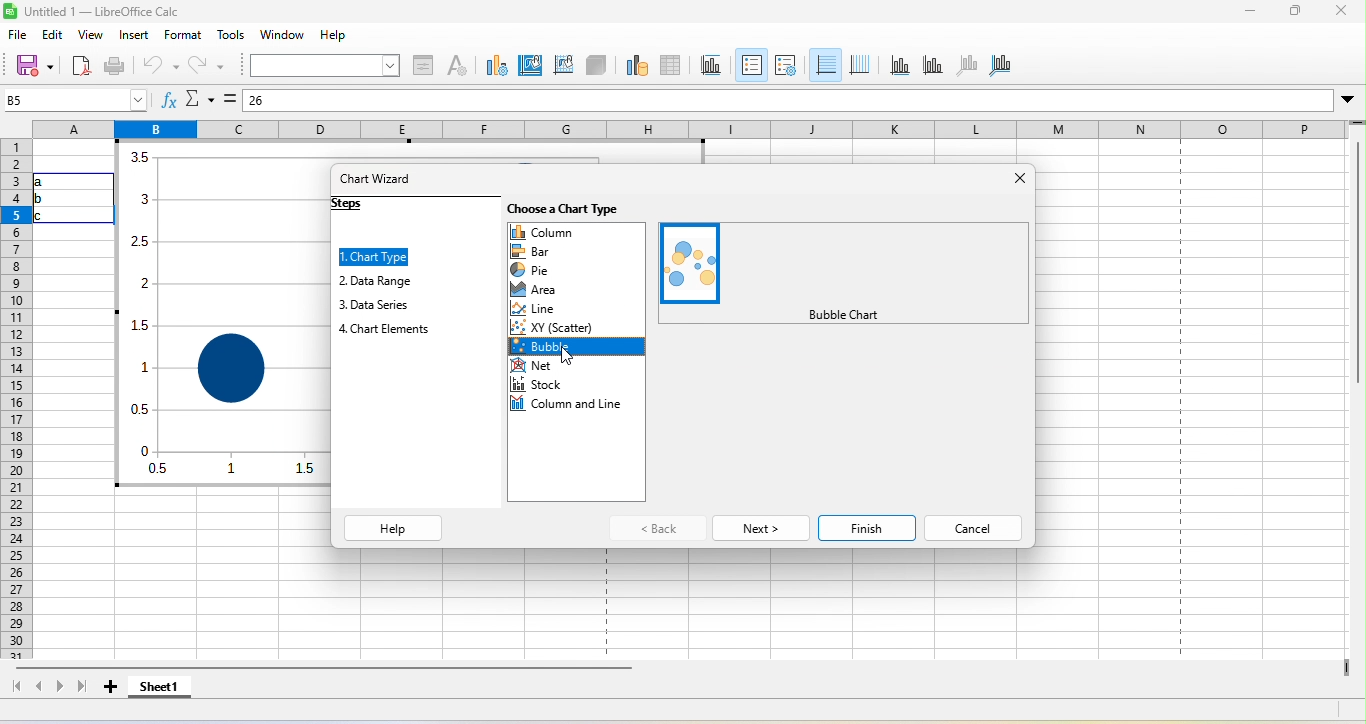 This screenshot has height=724, width=1366. What do you see at coordinates (826, 64) in the screenshot?
I see `horizontal grid` at bounding box center [826, 64].